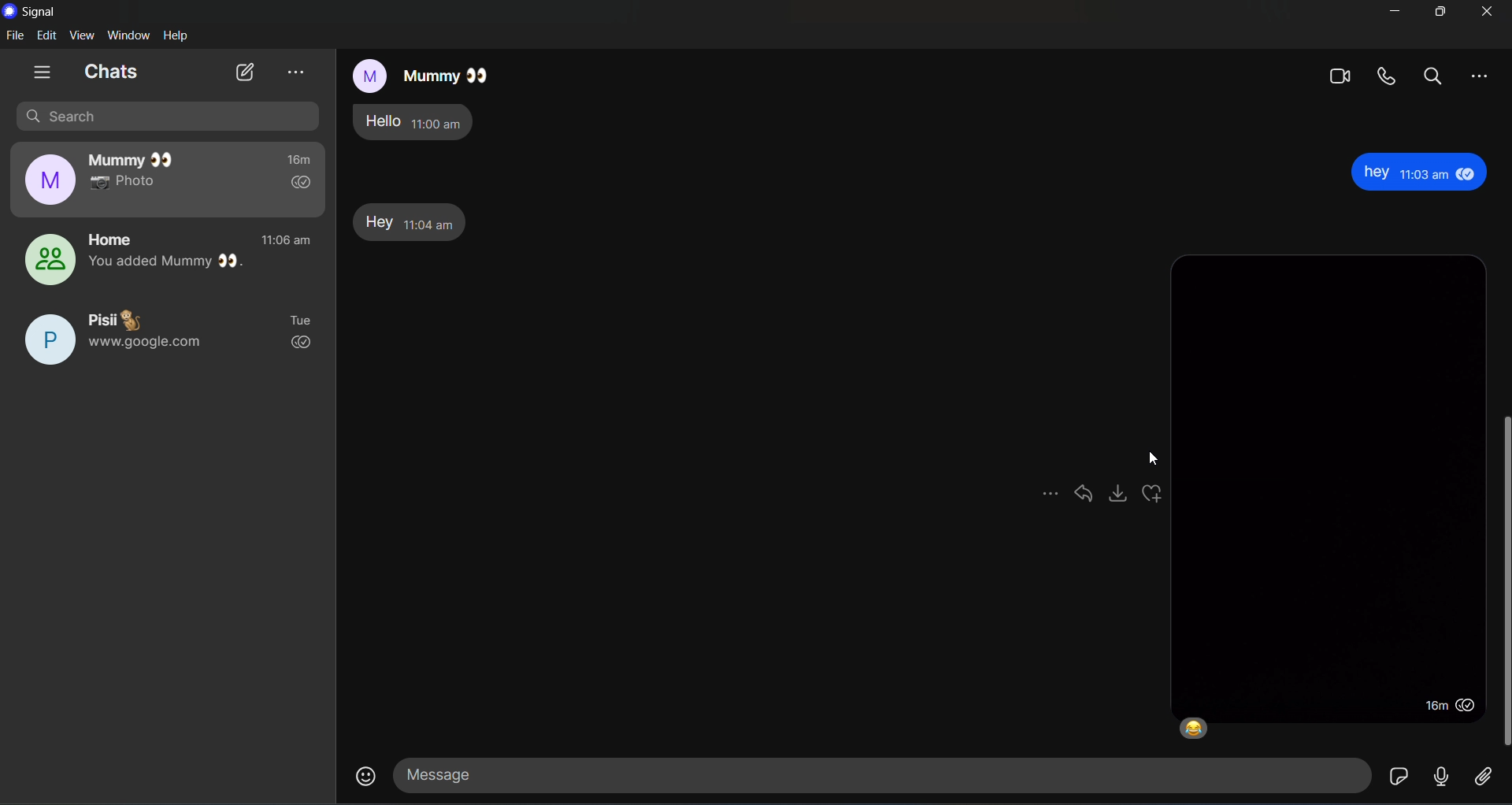  What do you see at coordinates (245, 72) in the screenshot?
I see `new chat` at bounding box center [245, 72].